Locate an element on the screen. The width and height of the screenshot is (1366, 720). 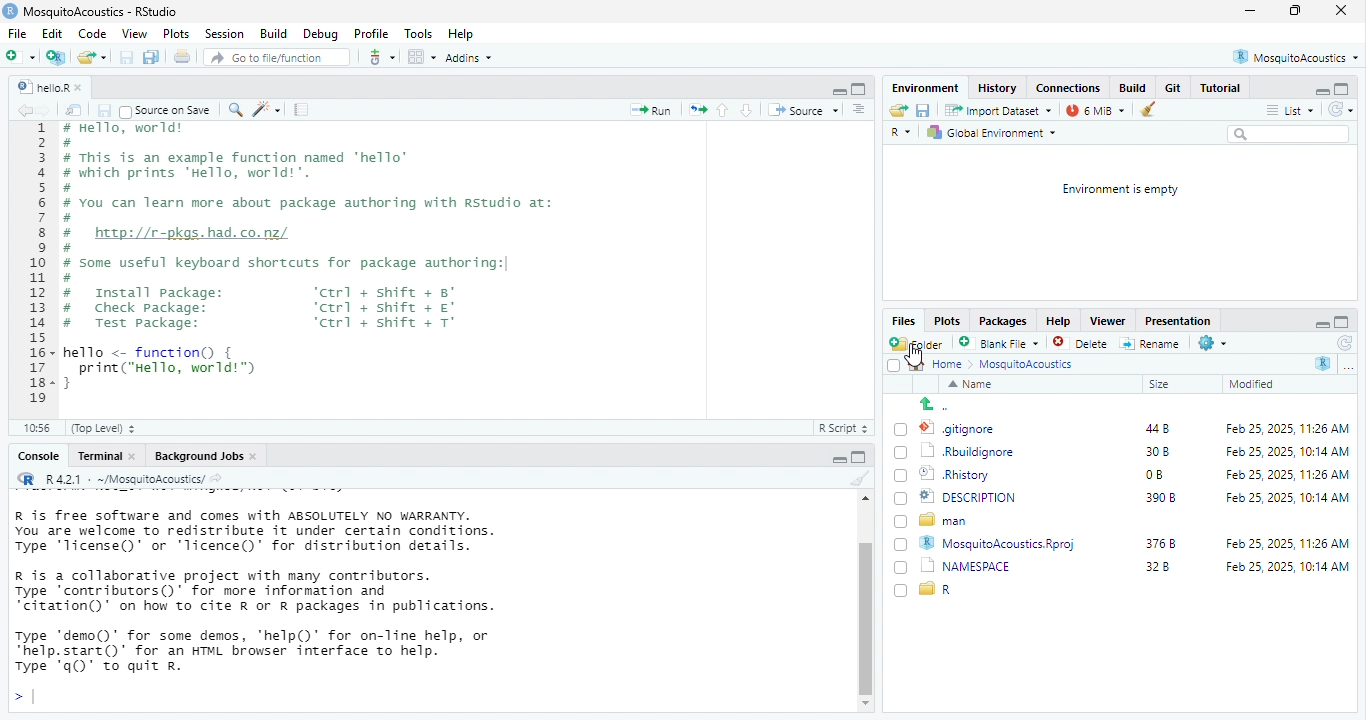
 Run is located at coordinates (653, 112).